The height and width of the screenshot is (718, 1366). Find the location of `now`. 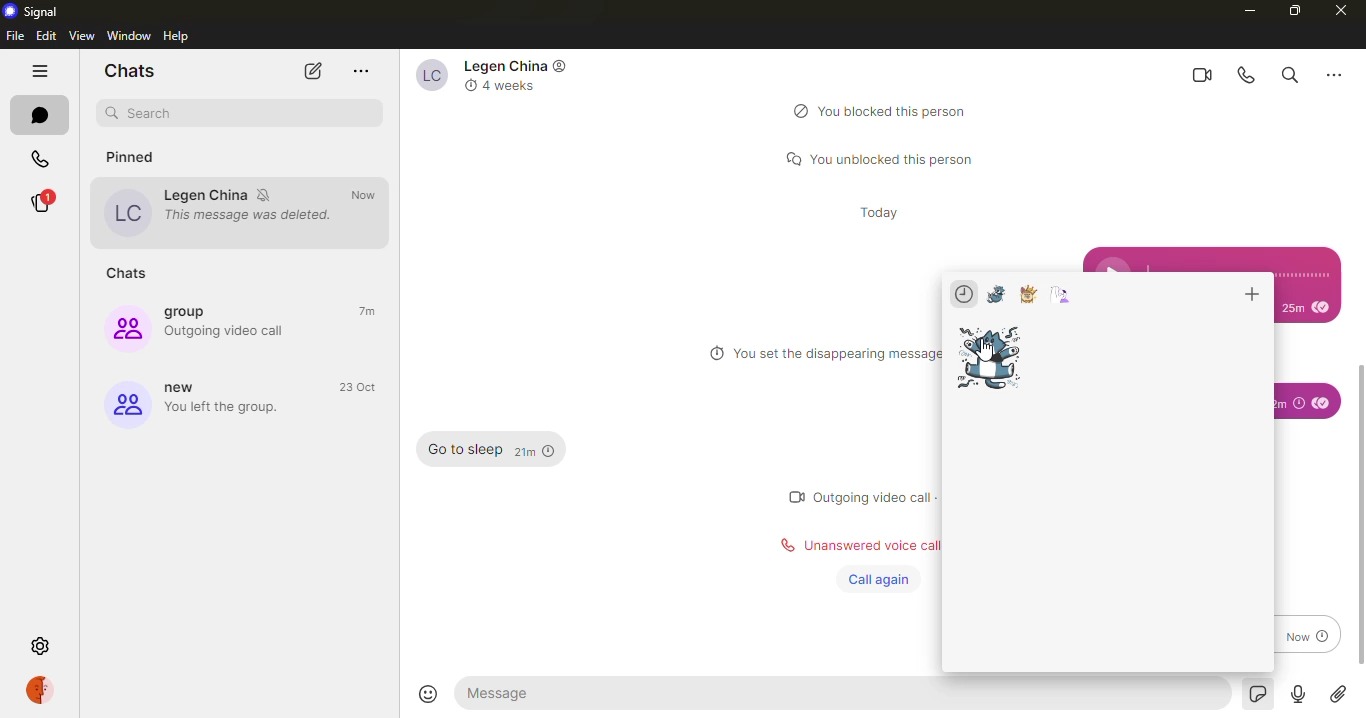

now is located at coordinates (369, 195).